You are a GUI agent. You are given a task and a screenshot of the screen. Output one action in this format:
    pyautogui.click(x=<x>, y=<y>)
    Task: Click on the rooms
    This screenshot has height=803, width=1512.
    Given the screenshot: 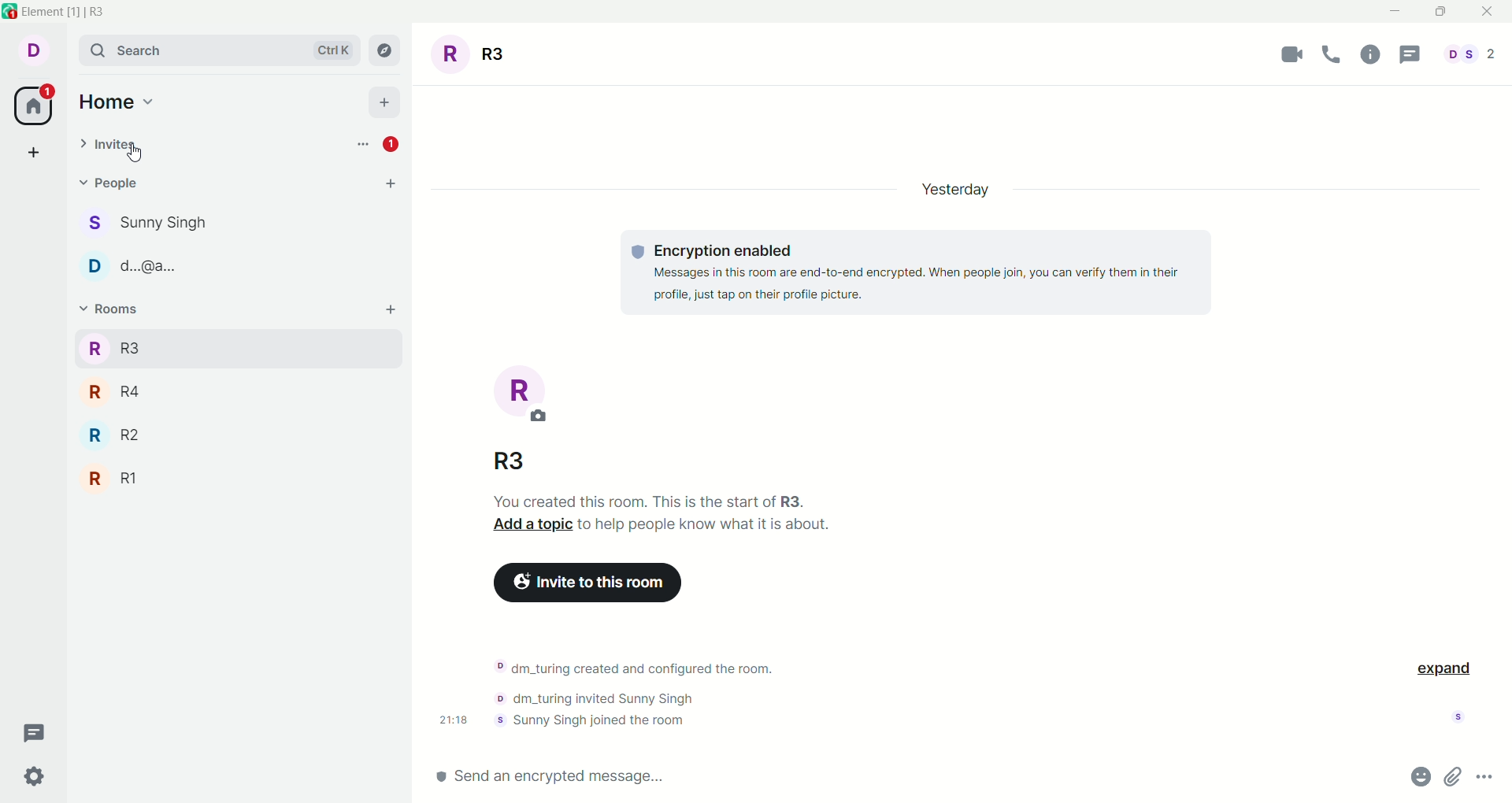 What is the action you would take?
    pyautogui.click(x=110, y=309)
    